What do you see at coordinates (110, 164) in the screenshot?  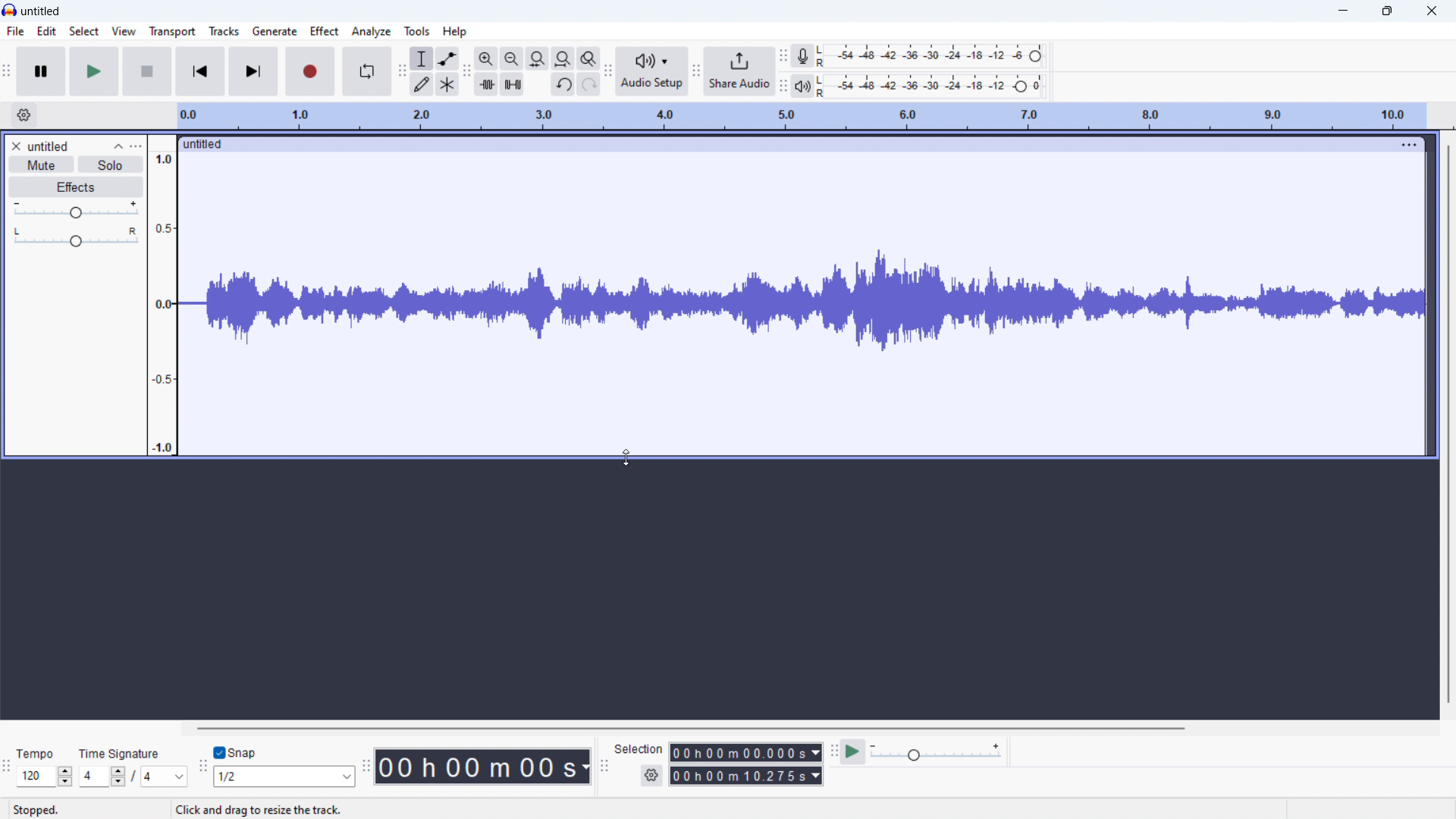 I see `solo` at bounding box center [110, 164].